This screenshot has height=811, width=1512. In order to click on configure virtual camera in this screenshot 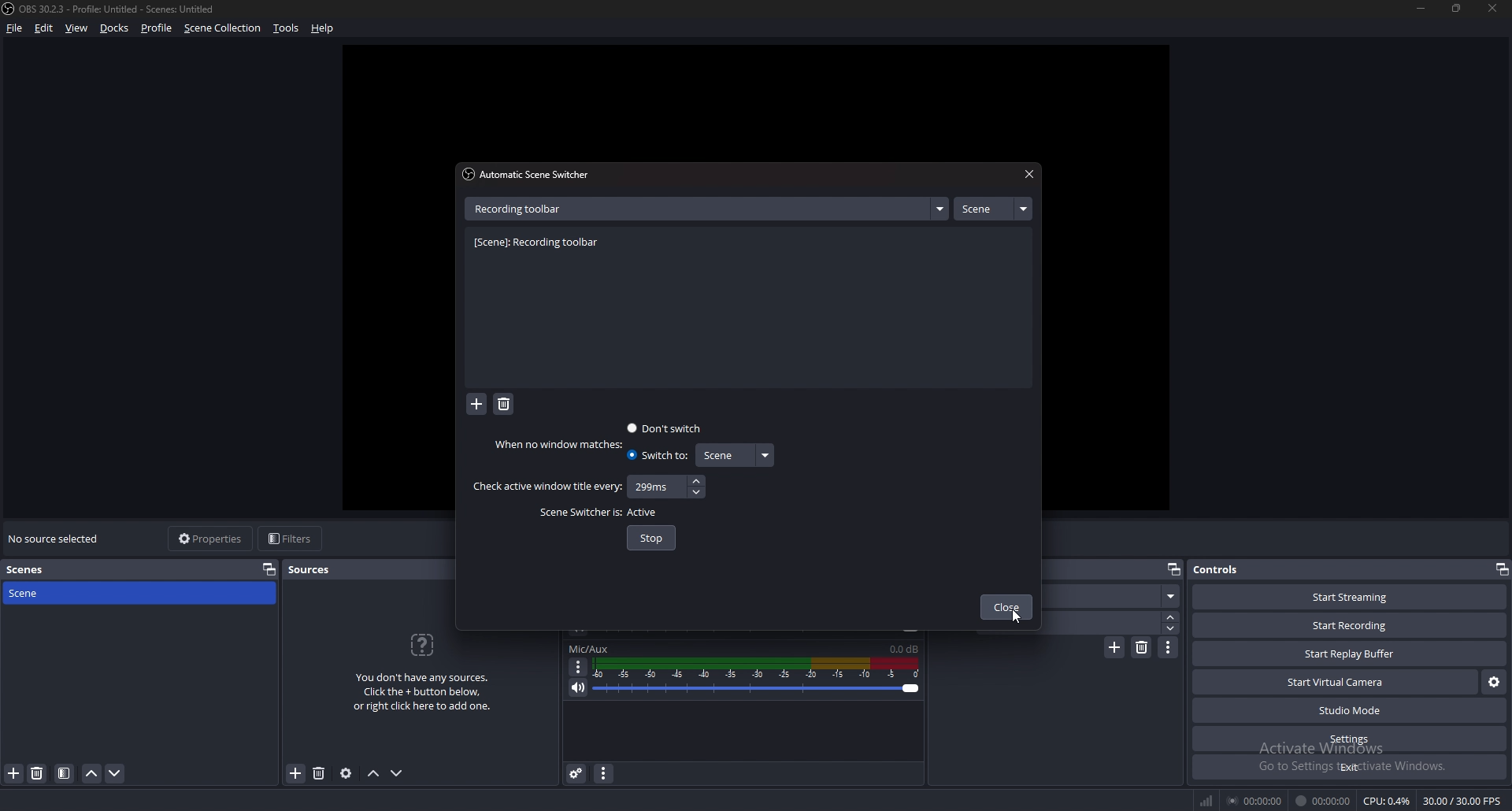, I will do `click(1495, 682)`.